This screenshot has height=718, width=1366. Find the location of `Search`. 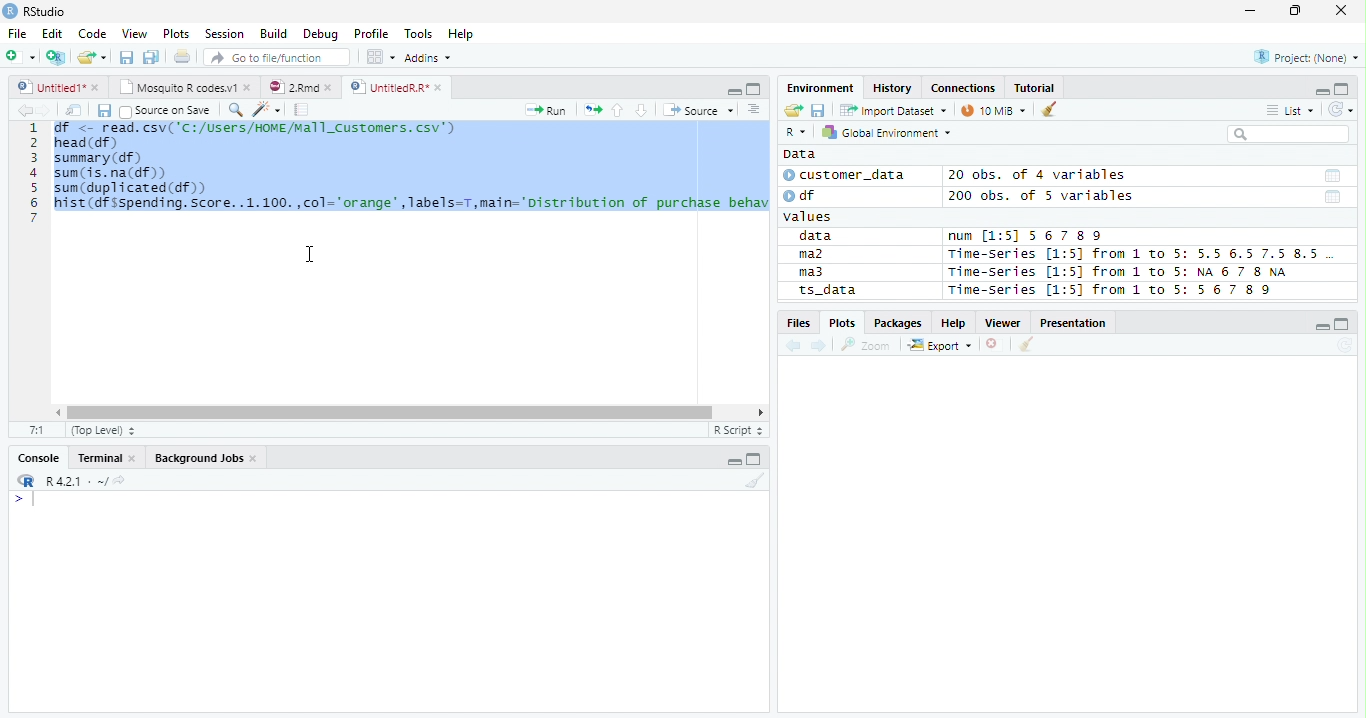

Search is located at coordinates (1286, 134).